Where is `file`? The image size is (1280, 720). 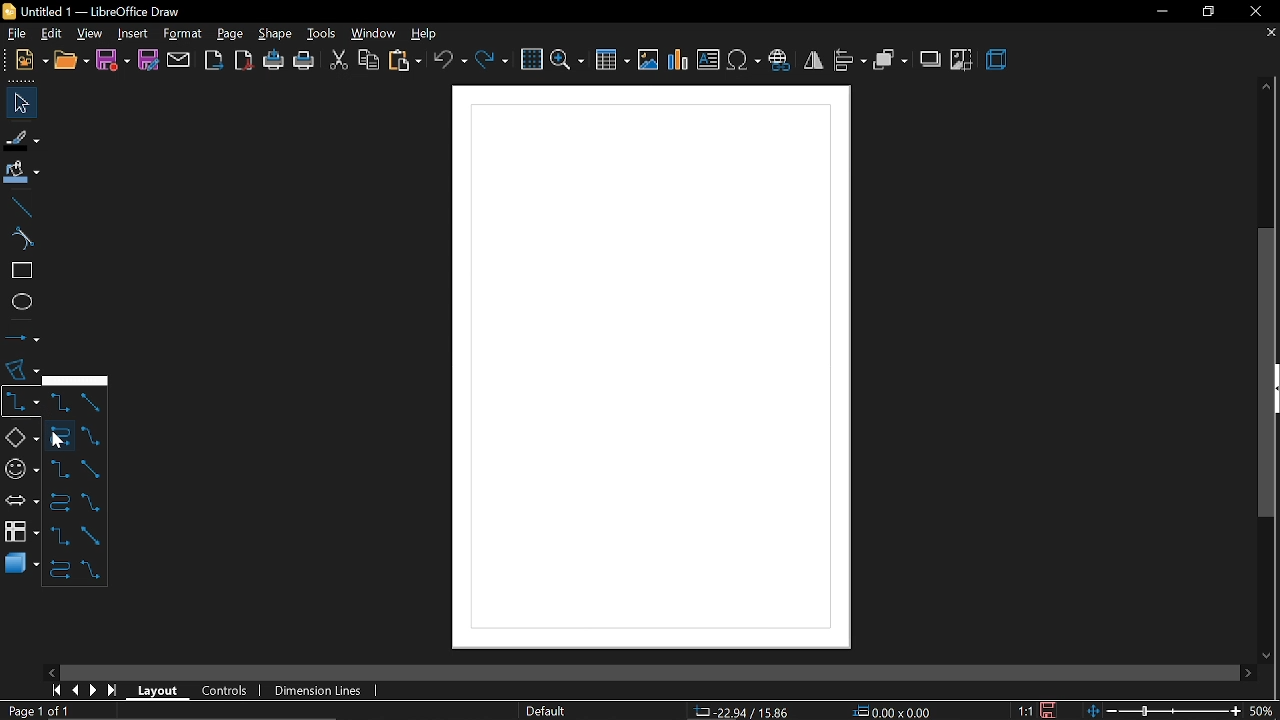
file is located at coordinates (13, 33).